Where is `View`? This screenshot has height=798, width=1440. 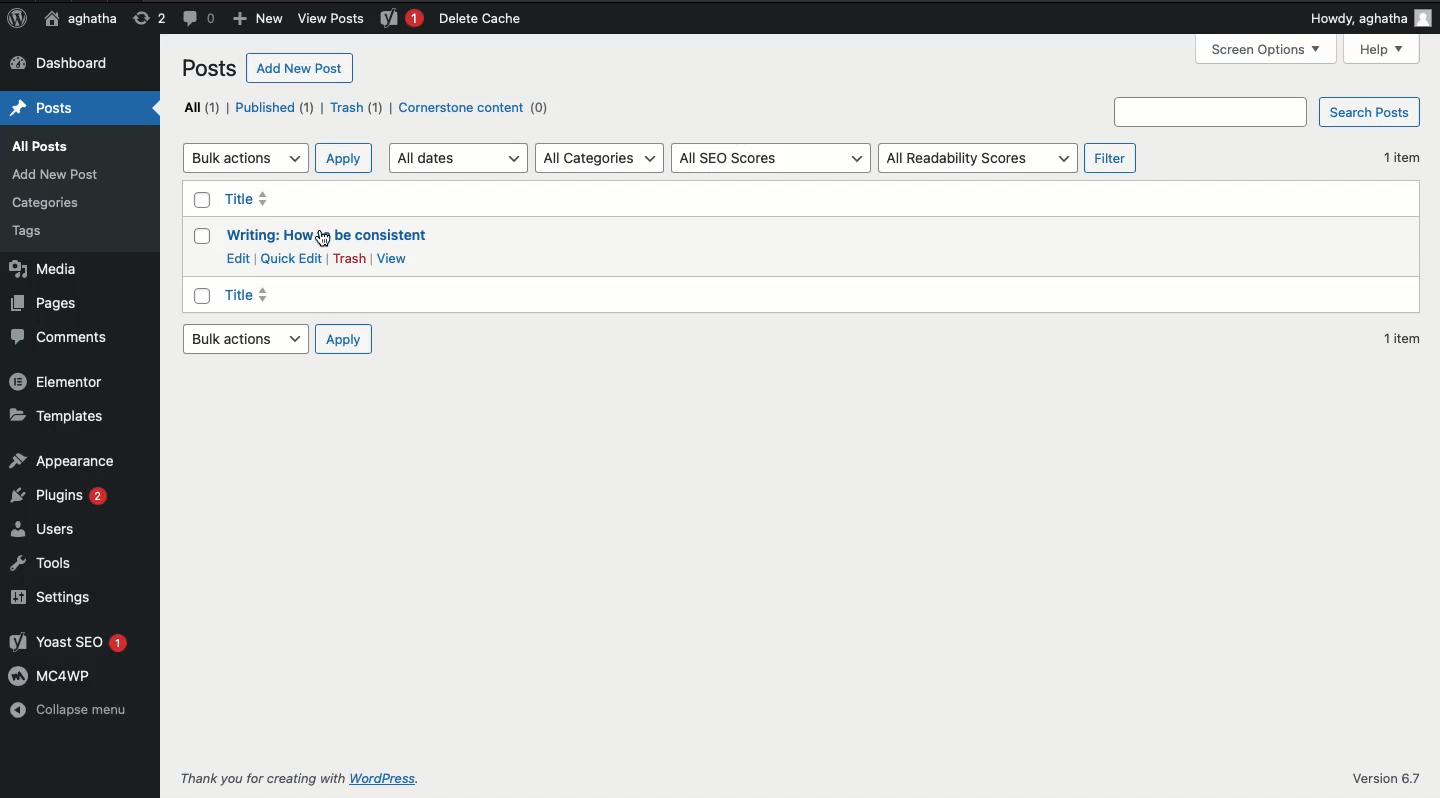
View is located at coordinates (392, 258).